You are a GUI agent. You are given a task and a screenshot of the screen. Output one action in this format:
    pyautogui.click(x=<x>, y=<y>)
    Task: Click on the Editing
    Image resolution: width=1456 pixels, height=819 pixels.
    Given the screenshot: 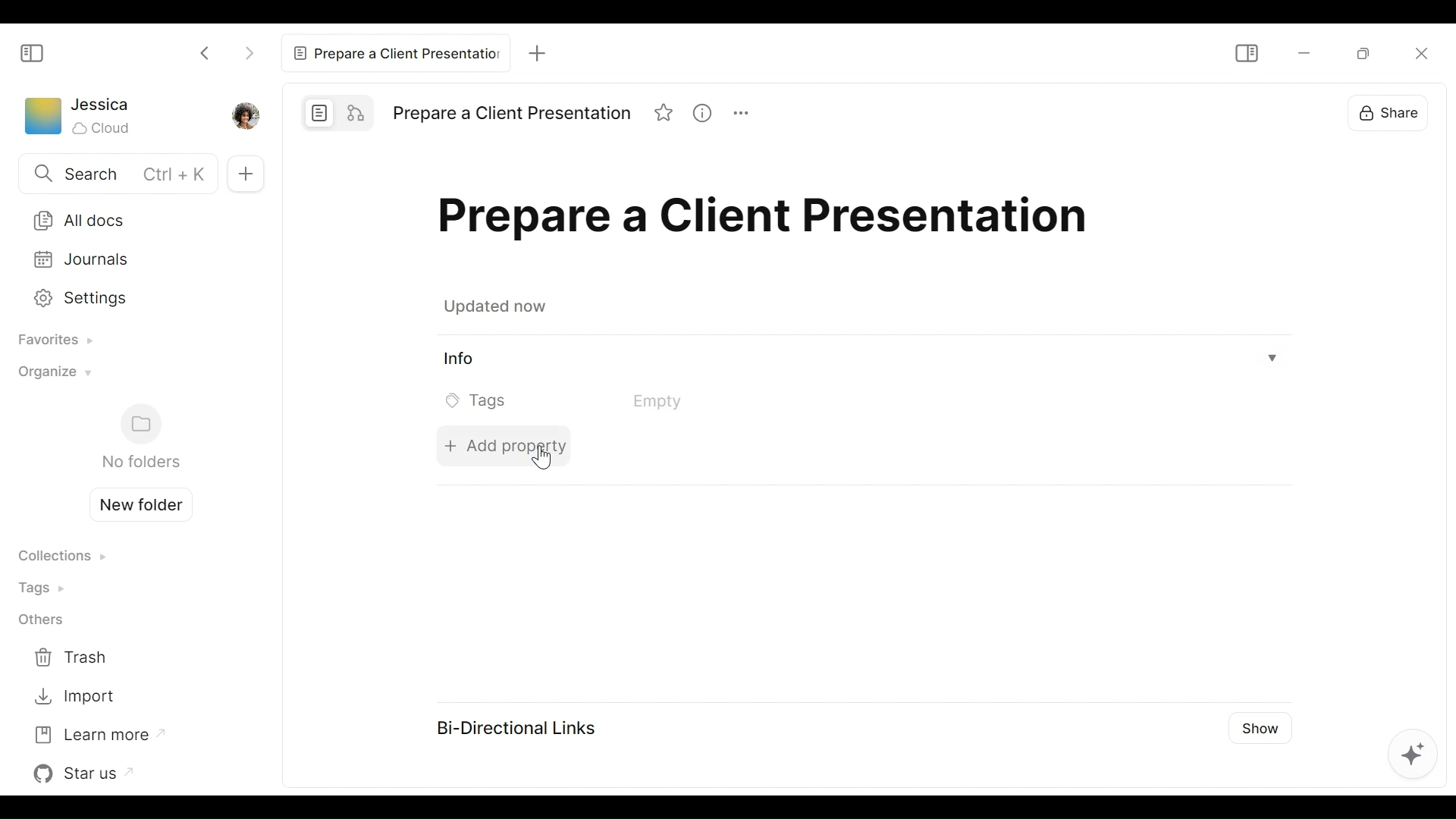 What is the action you would take?
    pyautogui.click(x=1412, y=752)
    